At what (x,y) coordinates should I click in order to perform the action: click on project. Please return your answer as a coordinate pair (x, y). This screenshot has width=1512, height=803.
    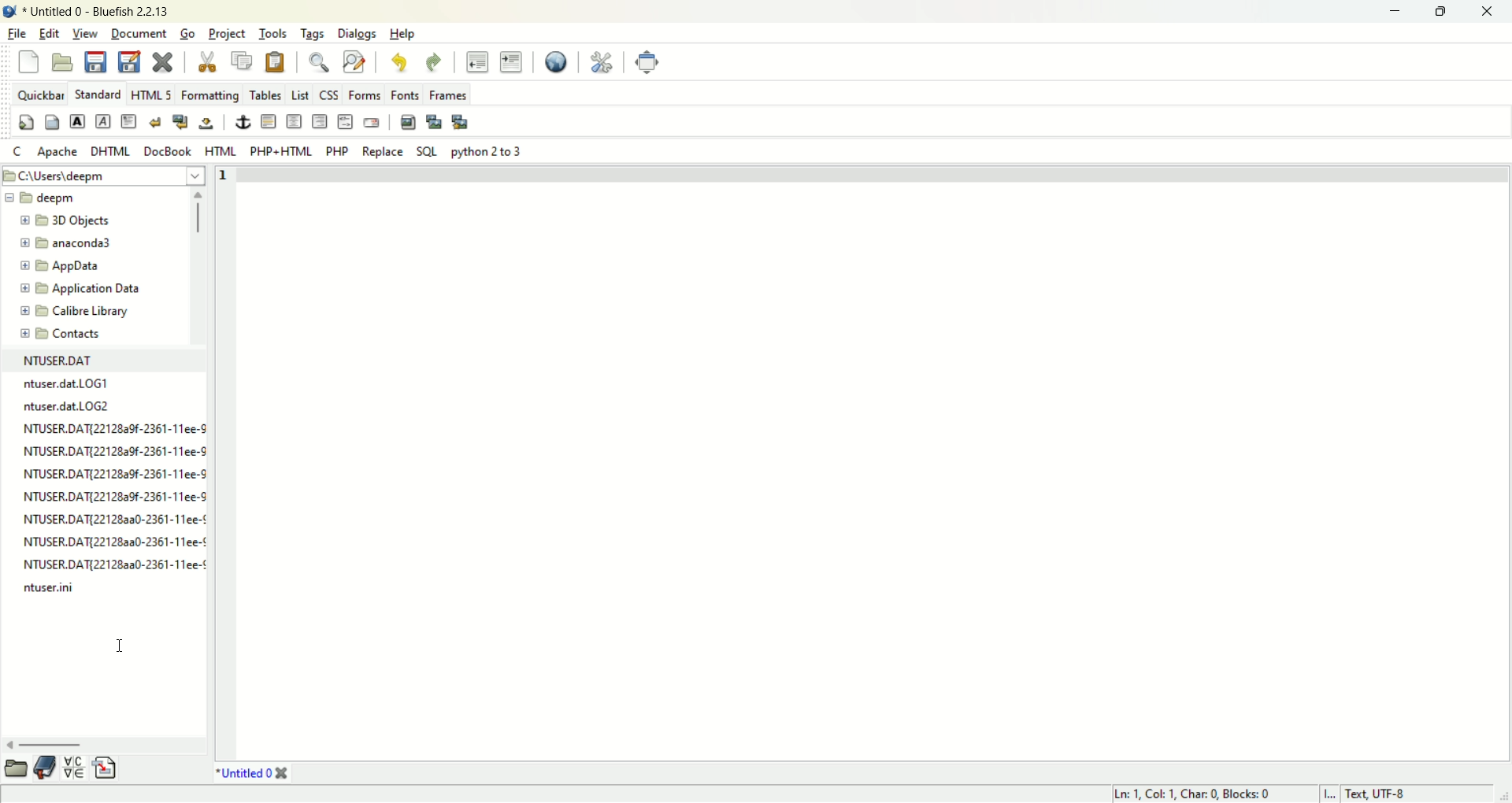
    Looking at the image, I should click on (228, 33).